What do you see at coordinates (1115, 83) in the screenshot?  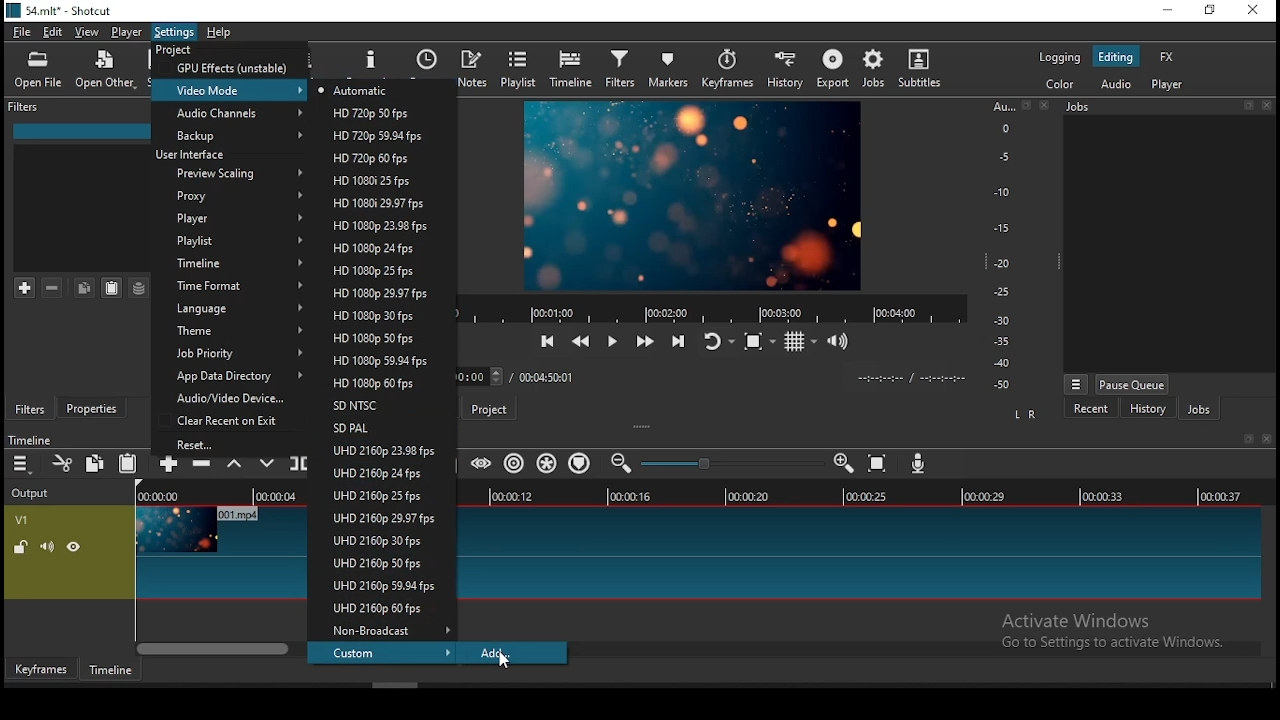 I see `audio` at bounding box center [1115, 83].